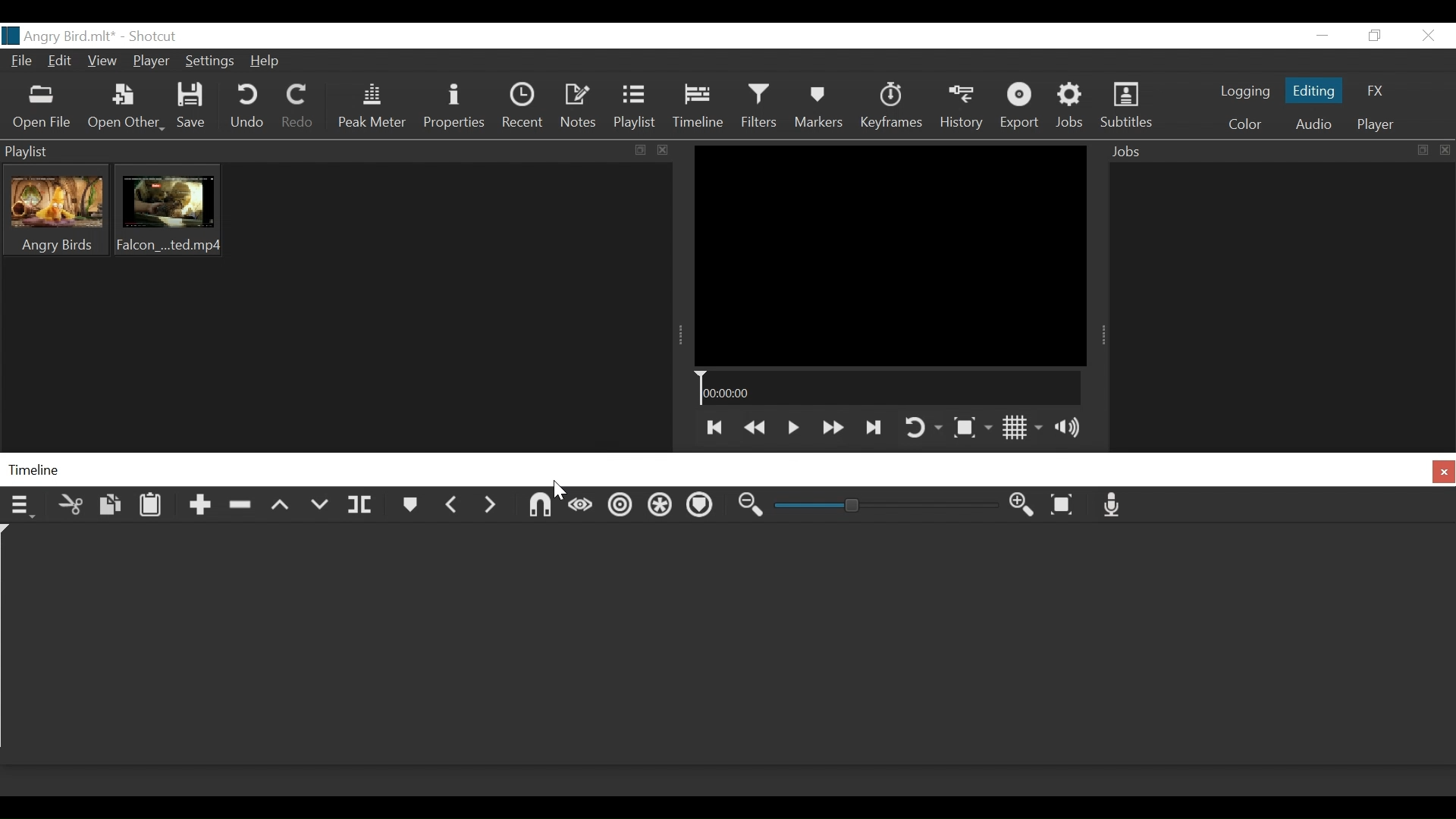 This screenshot has width=1456, height=819. What do you see at coordinates (558, 493) in the screenshot?
I see `Cursor` at bounding box center [558, 493].